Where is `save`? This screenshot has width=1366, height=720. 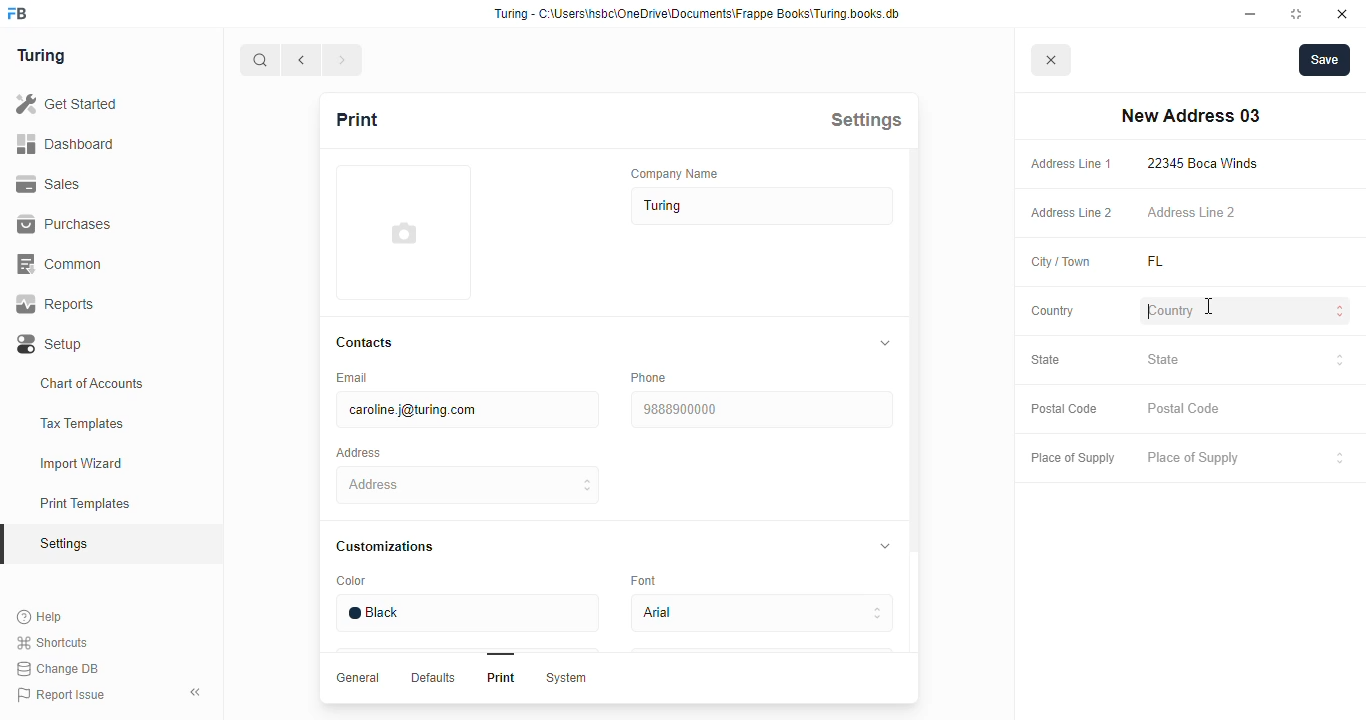
save is located at coordinates (1325, 60).